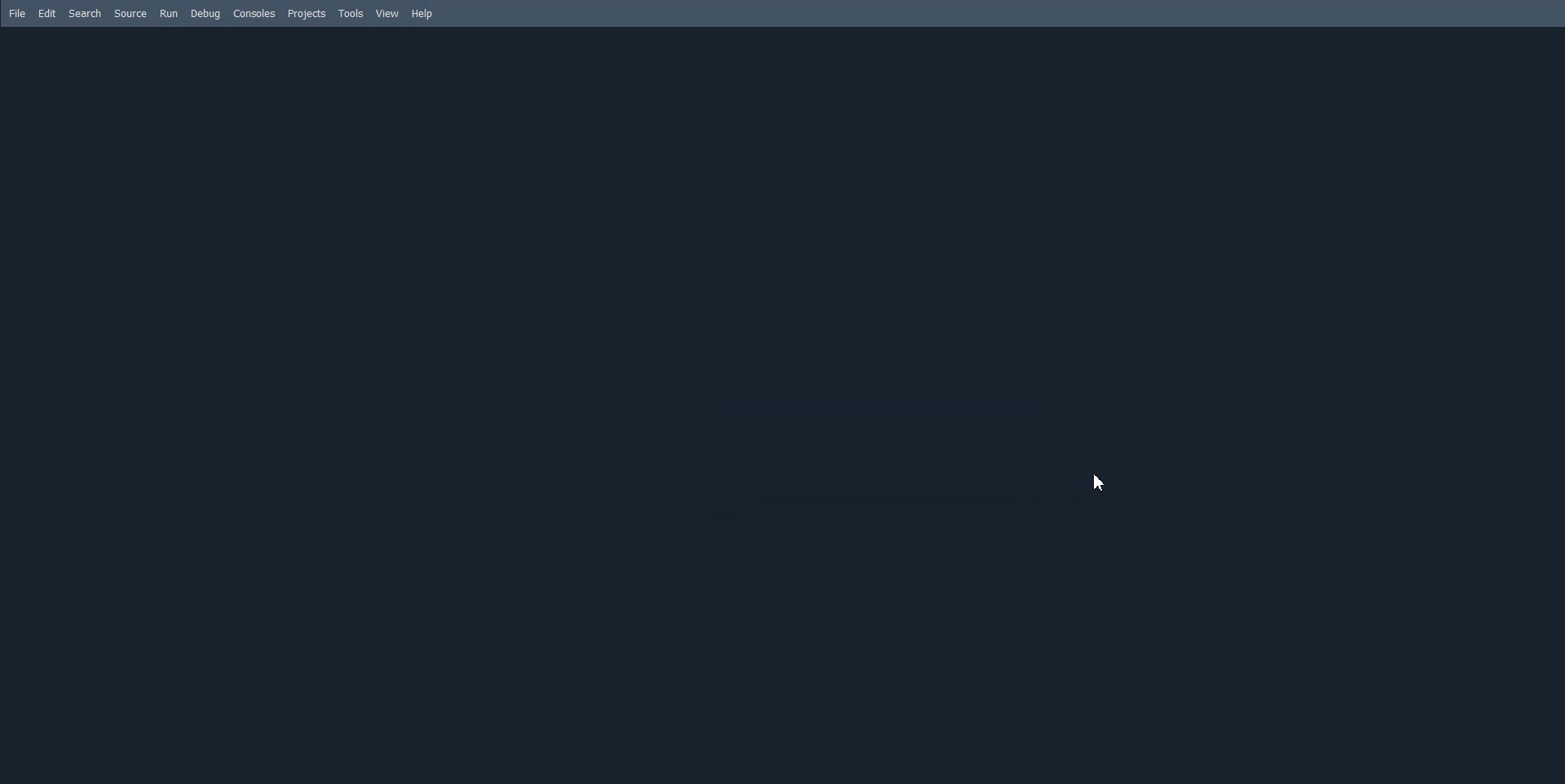  Describe the element at coordinates (350, 13) in the screenshot. I see `Tools` at that location.